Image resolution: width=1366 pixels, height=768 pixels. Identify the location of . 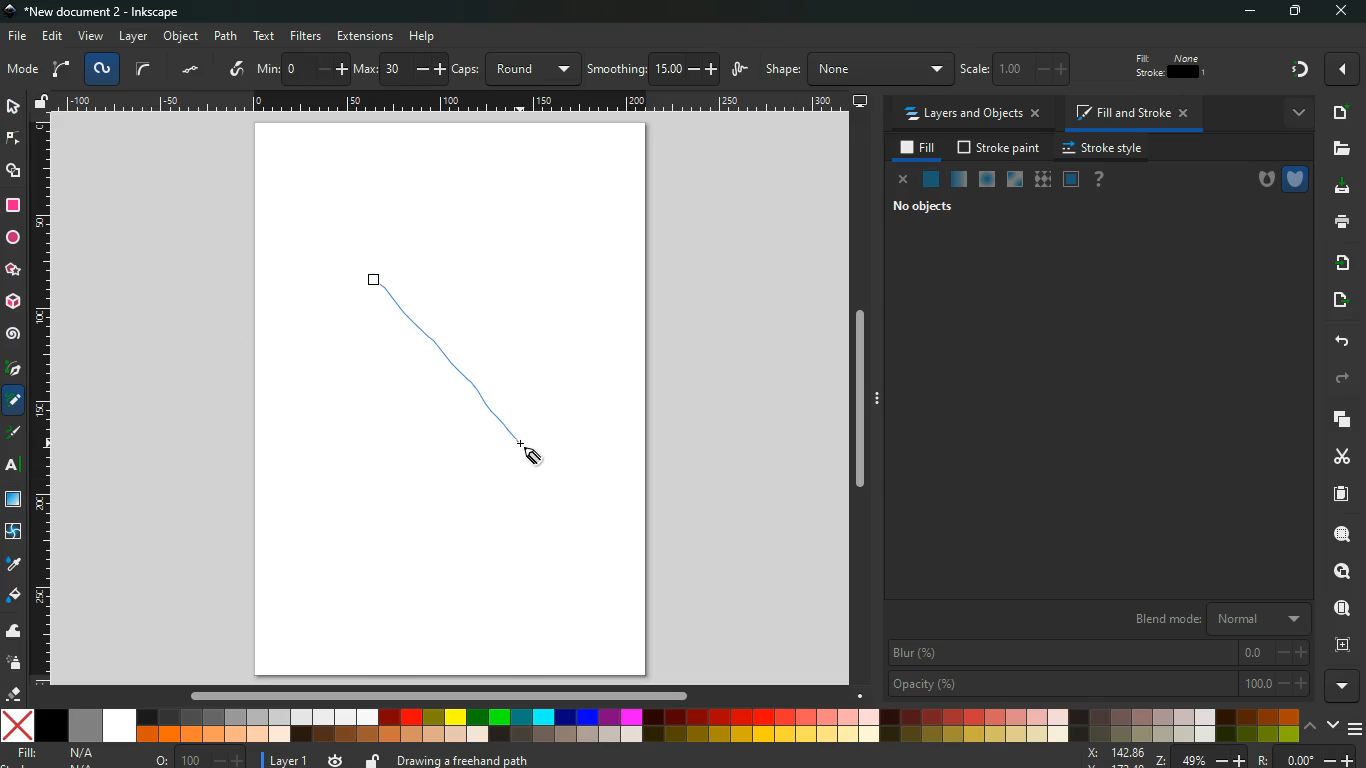
(12, 466).